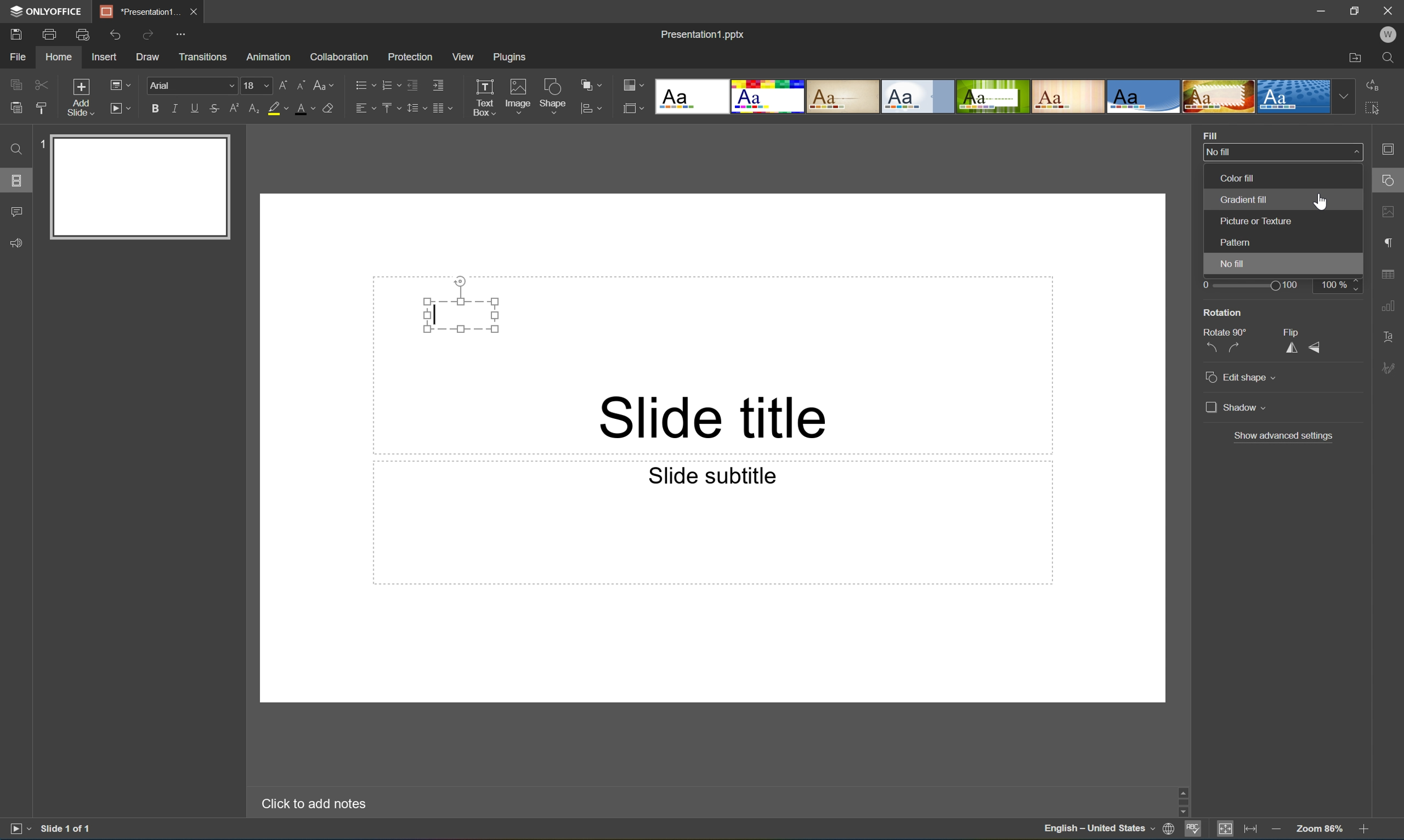  I want to click on 100%, so click(1340, 284).